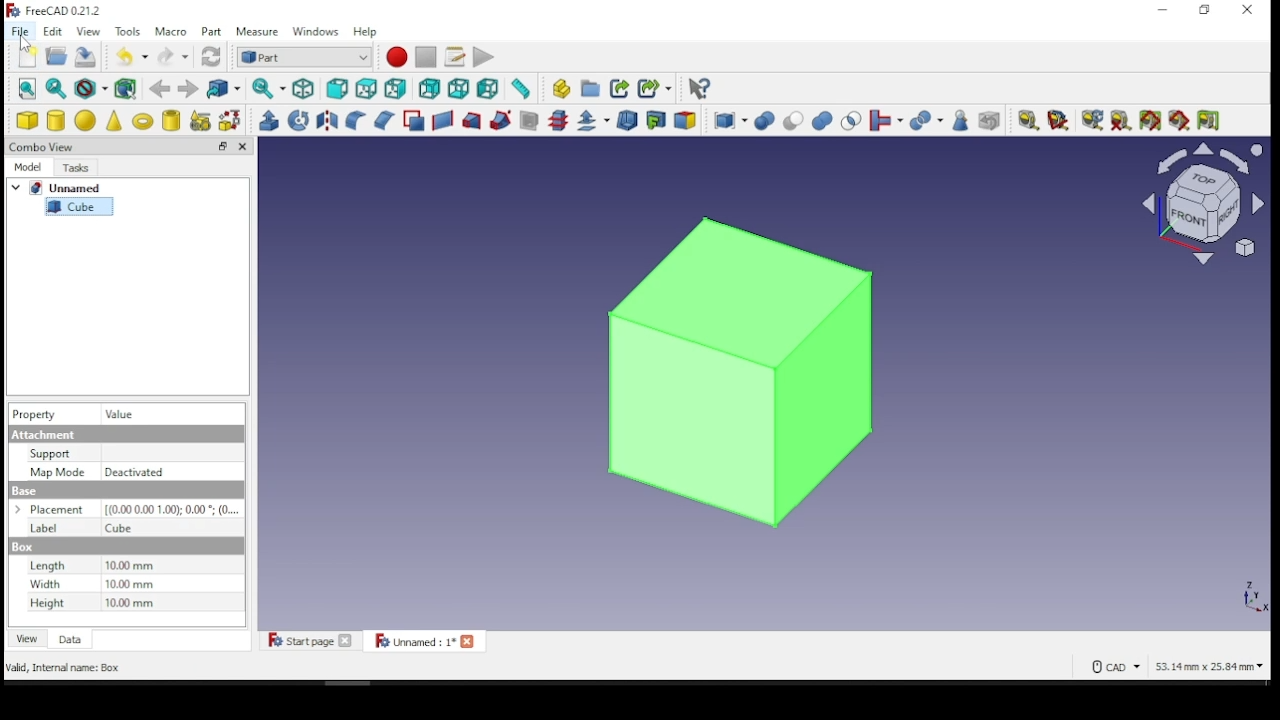 The image size is (1280, 720). What do you see at coordinates (1202, 206) in the screenshot?
I see `select view` at bounding box center [1202, 206].